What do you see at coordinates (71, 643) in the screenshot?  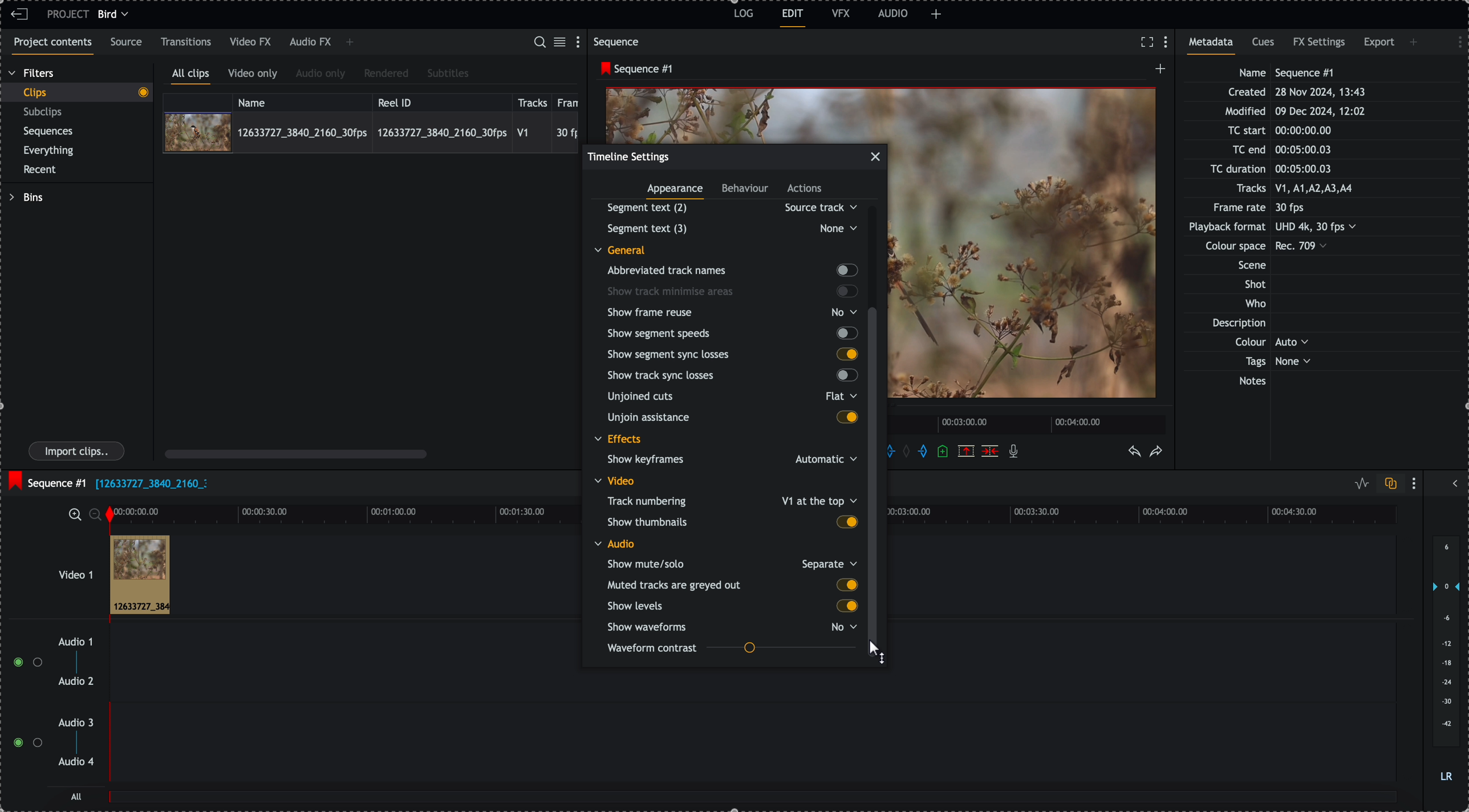 I see `audio 1` at bounding box center [71, 643].